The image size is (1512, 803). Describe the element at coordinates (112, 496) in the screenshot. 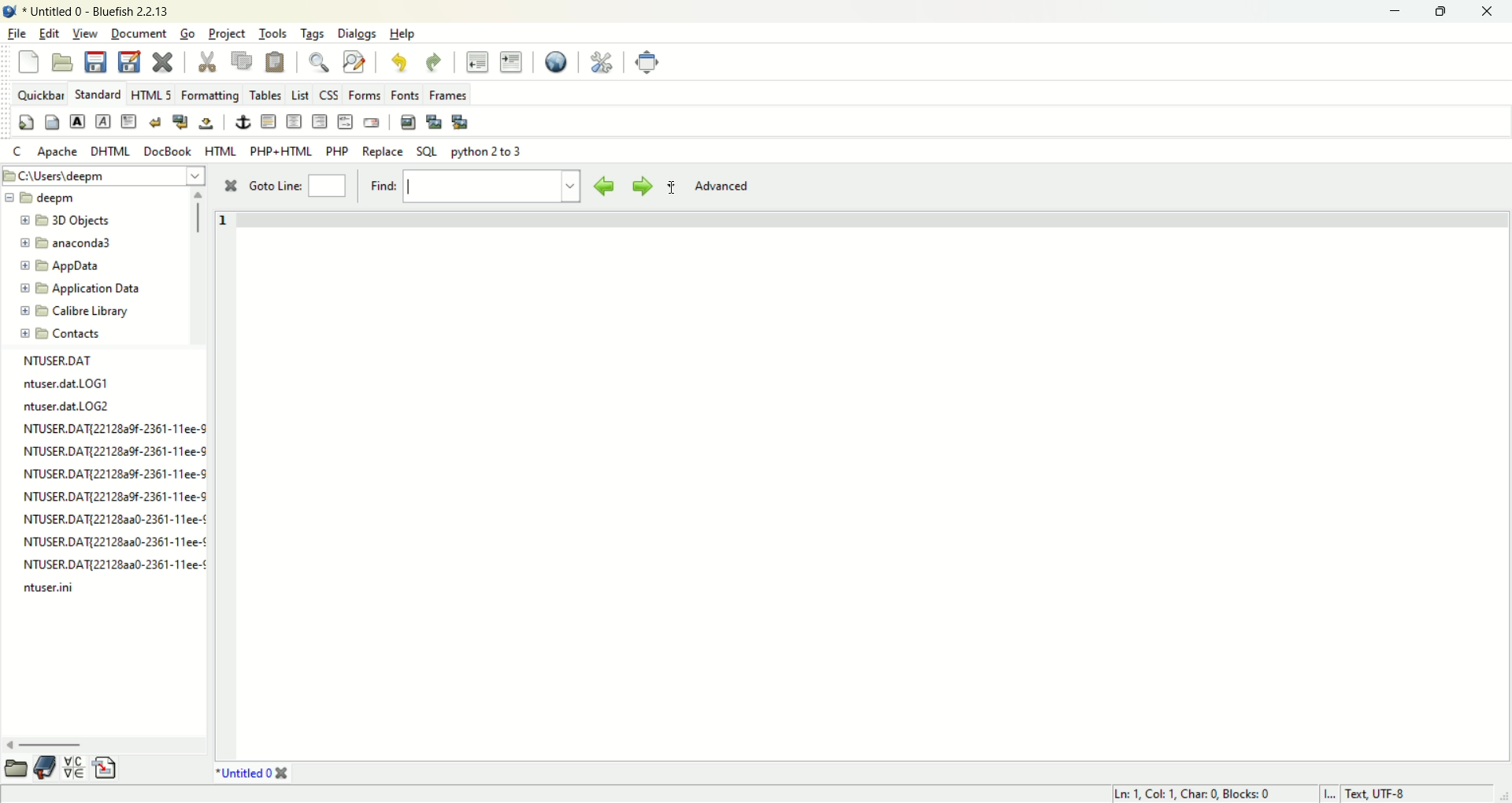

I see `NTUSER.DAT{2212829f-2361-11ee-S` at that location.